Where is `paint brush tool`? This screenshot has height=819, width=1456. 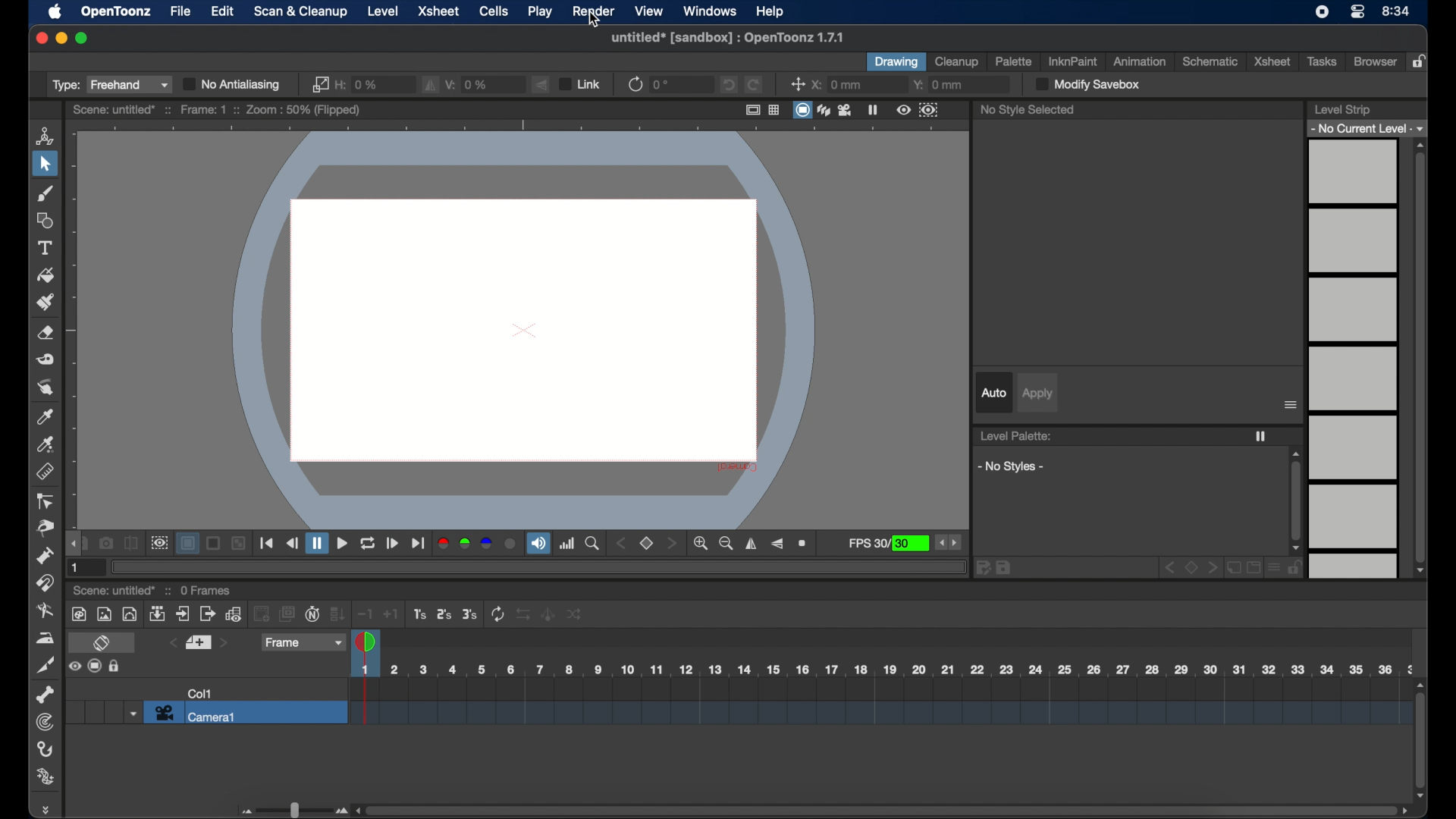
paint brush tool is located at coordinates (45, 301).